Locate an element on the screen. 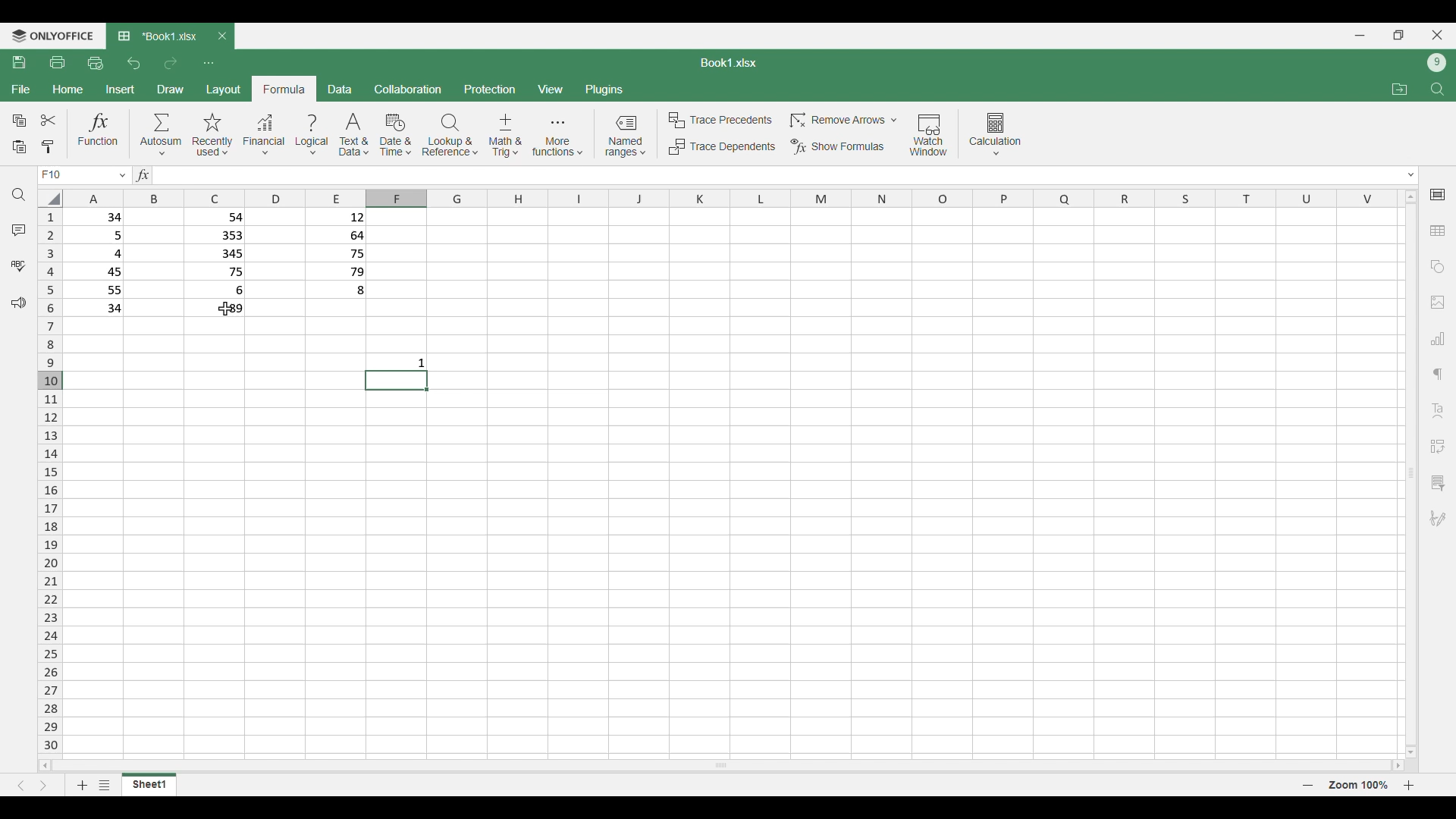 The image size is (1456, 819). Funtion is located at coordinates (99, 133).